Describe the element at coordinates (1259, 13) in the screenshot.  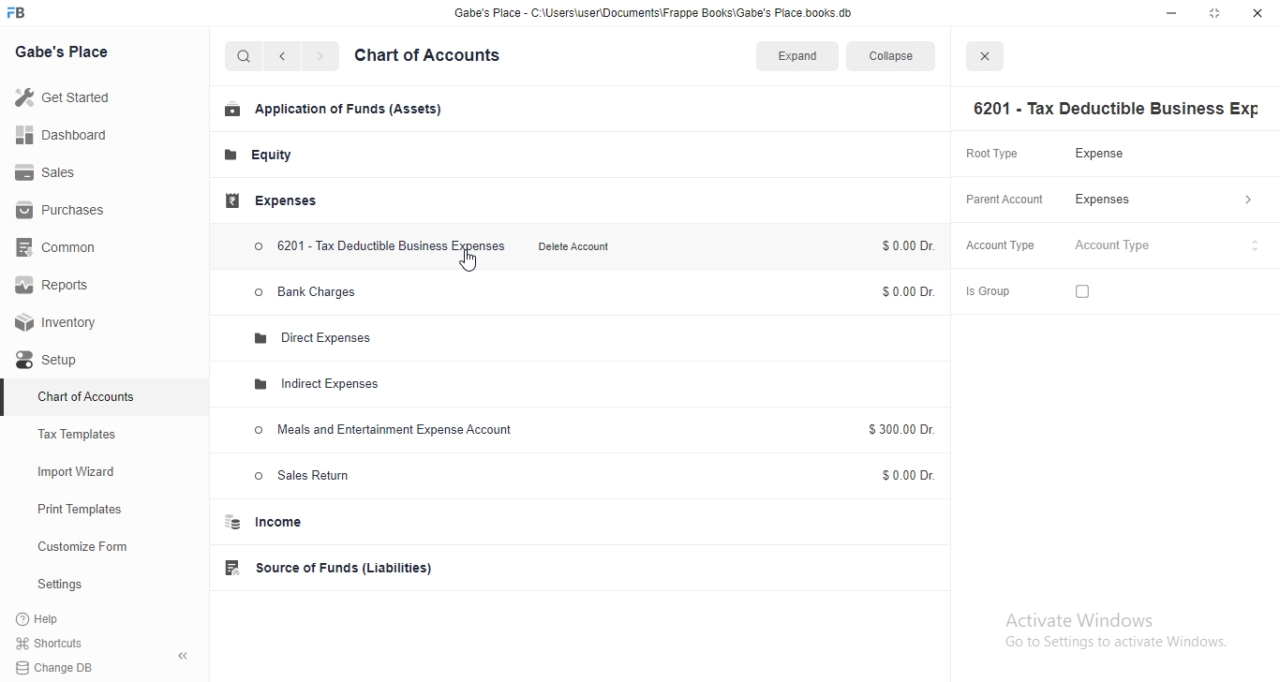
I see `close` at that location.